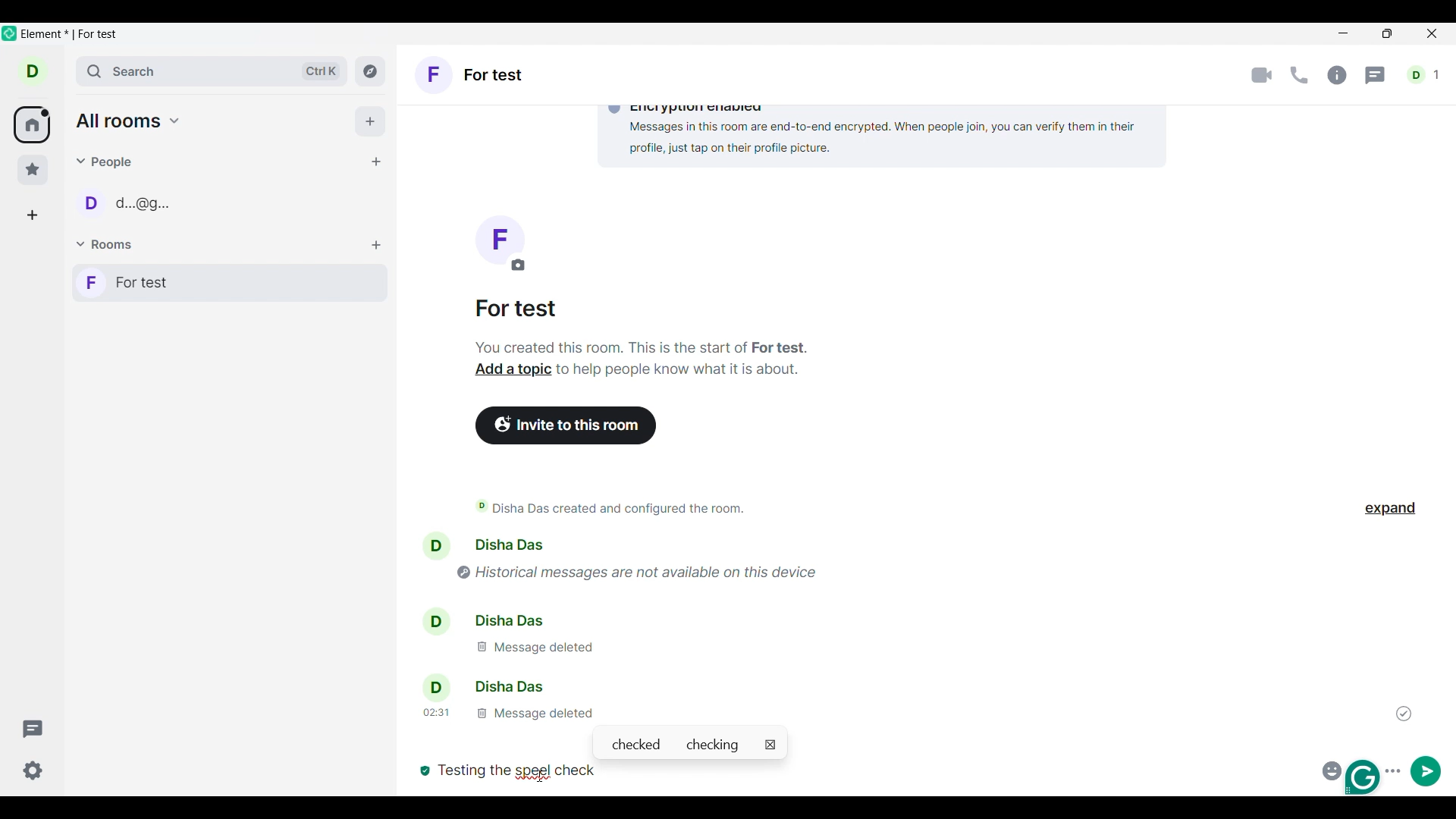  I want to click on Click to expand, so click(1390, 509).